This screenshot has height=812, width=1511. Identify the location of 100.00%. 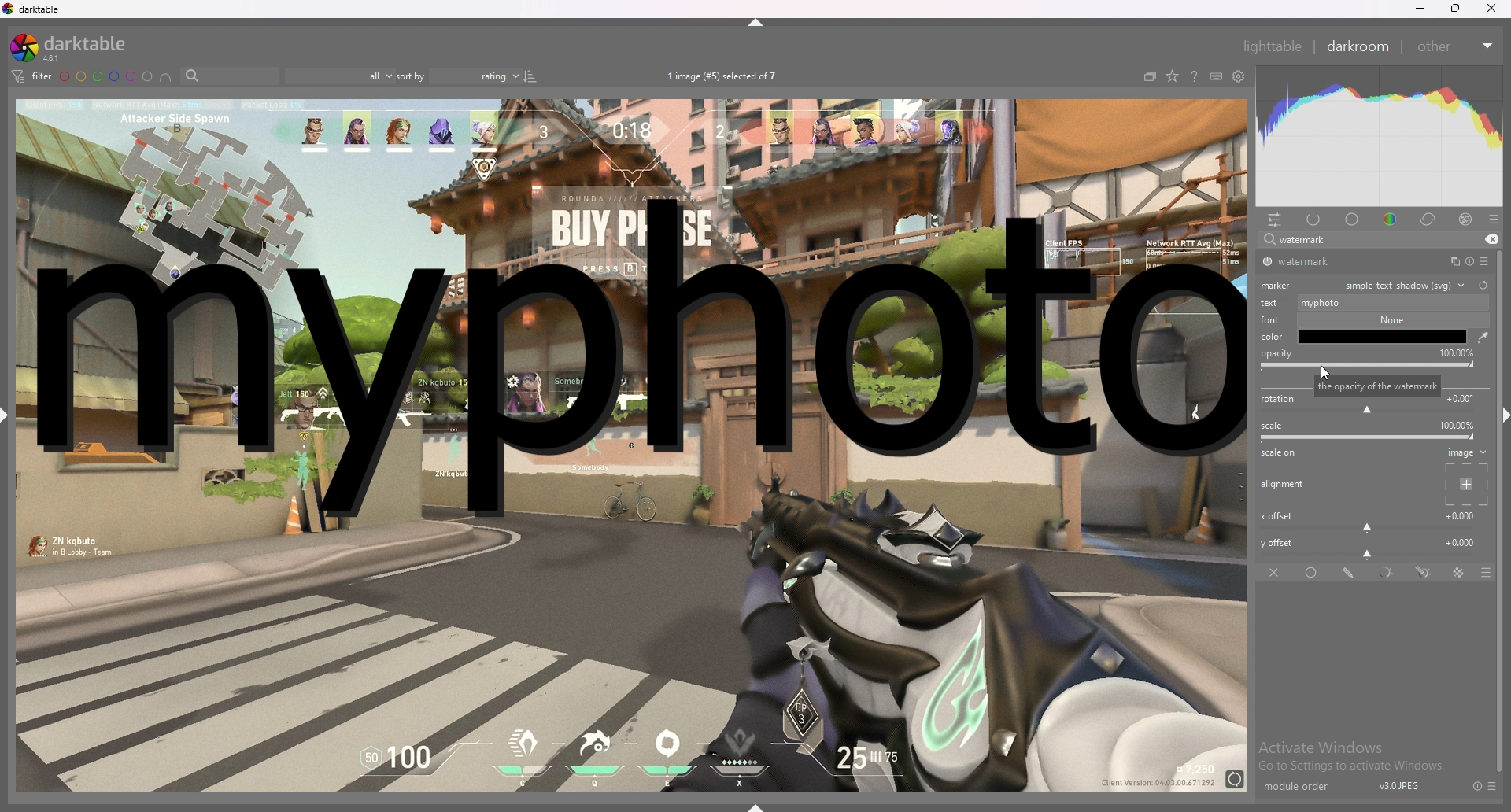
(1452, 352).